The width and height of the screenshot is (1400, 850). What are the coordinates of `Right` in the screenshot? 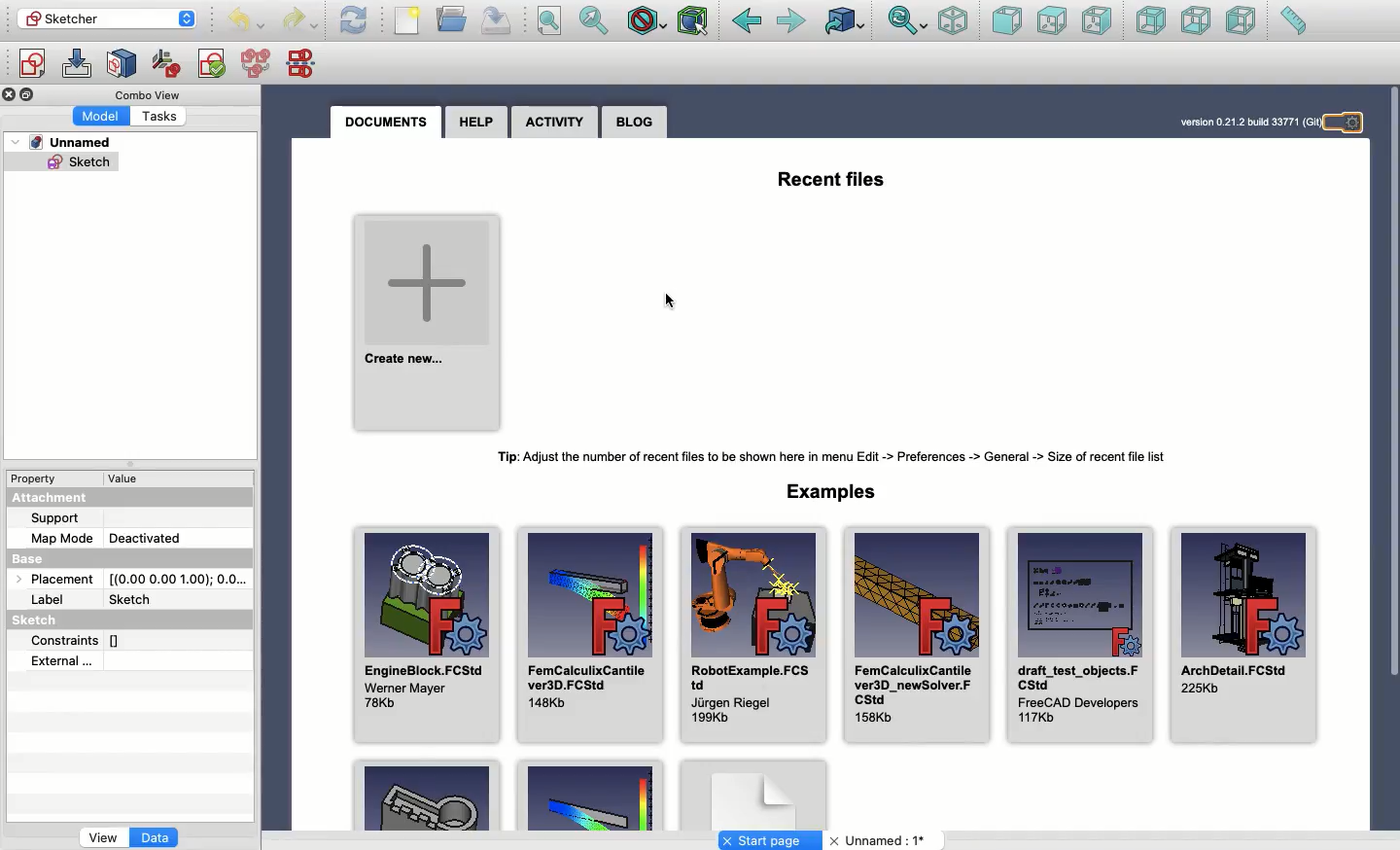 It's located at (1097, 20).